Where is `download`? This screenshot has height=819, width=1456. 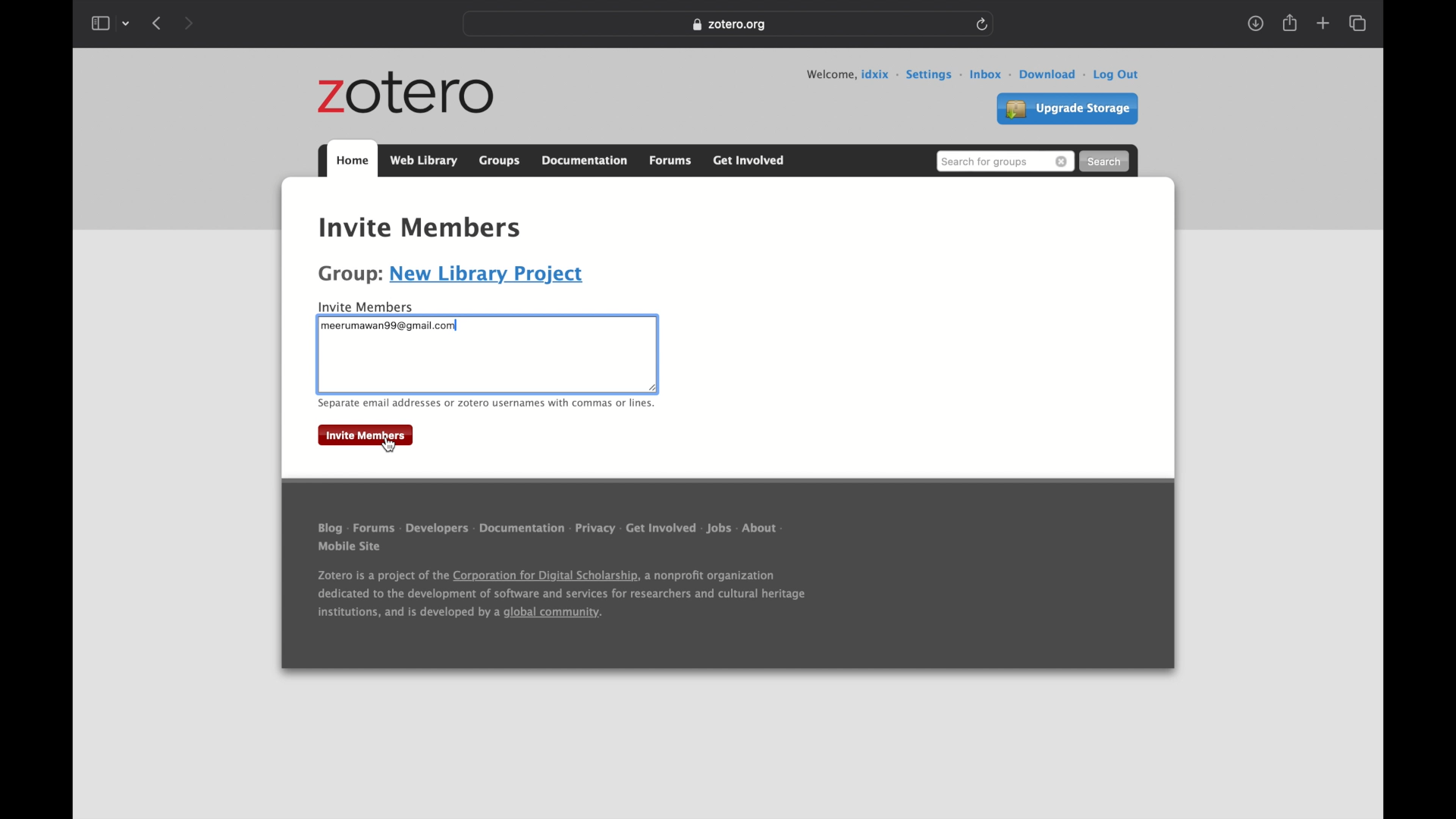
download is located at coordinates (1052, 74).